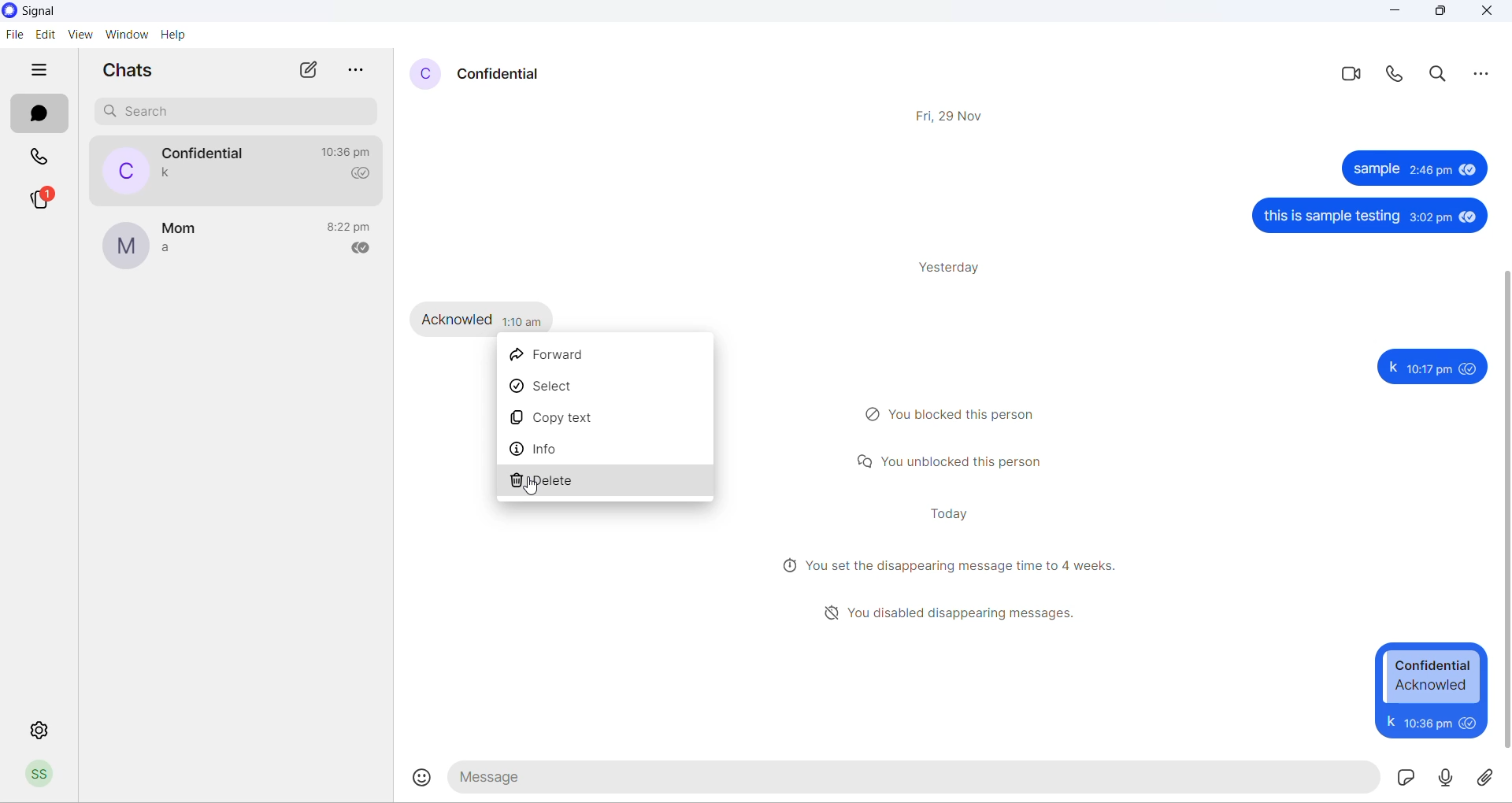  Describe the element at coordinates (1375, 169) in the screenshot. I see `sample` at that location.